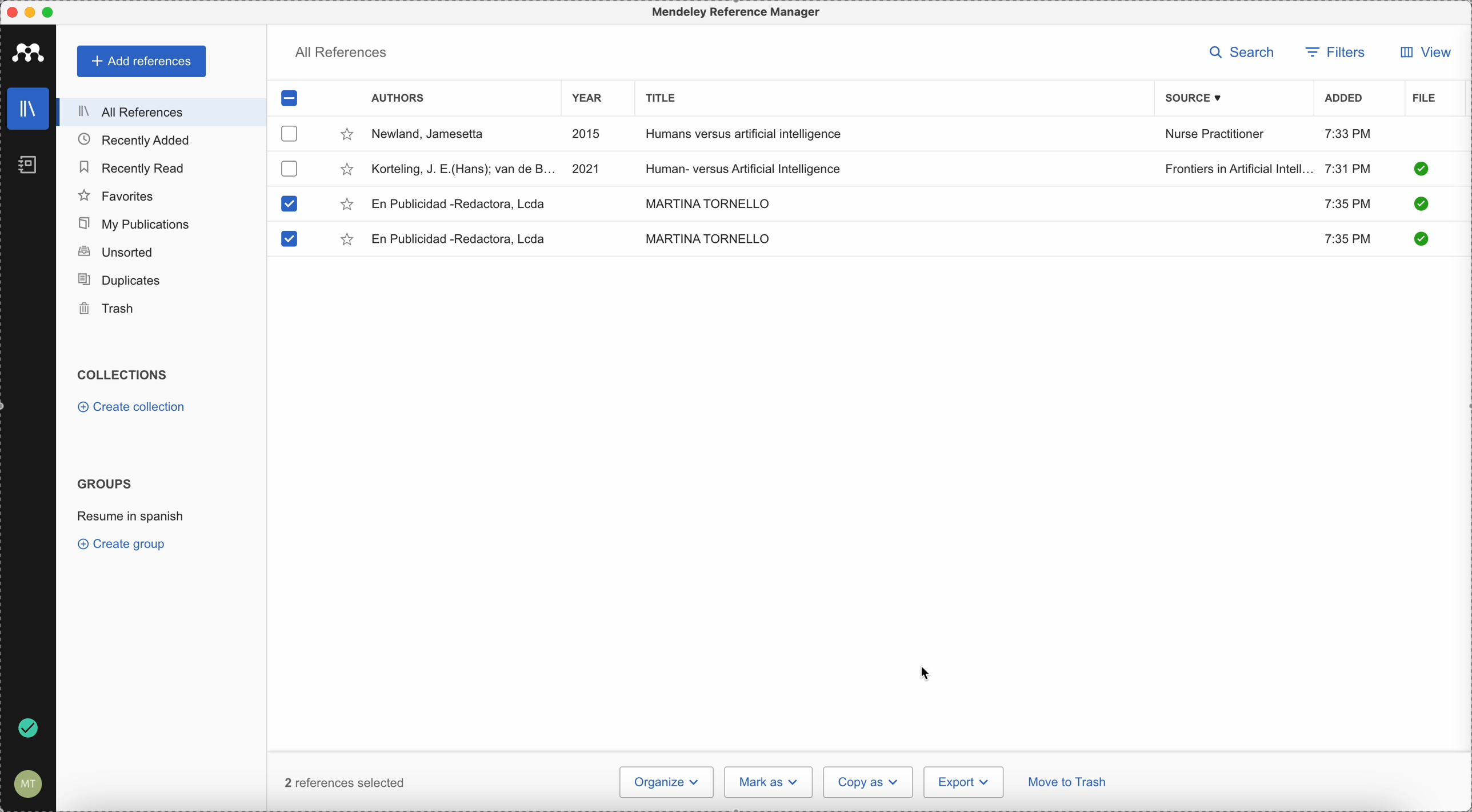 This screenshot has height=812, width=1472. Describe the element at coordinates (1246, 53) in the screenshot. I see `search` at that location.